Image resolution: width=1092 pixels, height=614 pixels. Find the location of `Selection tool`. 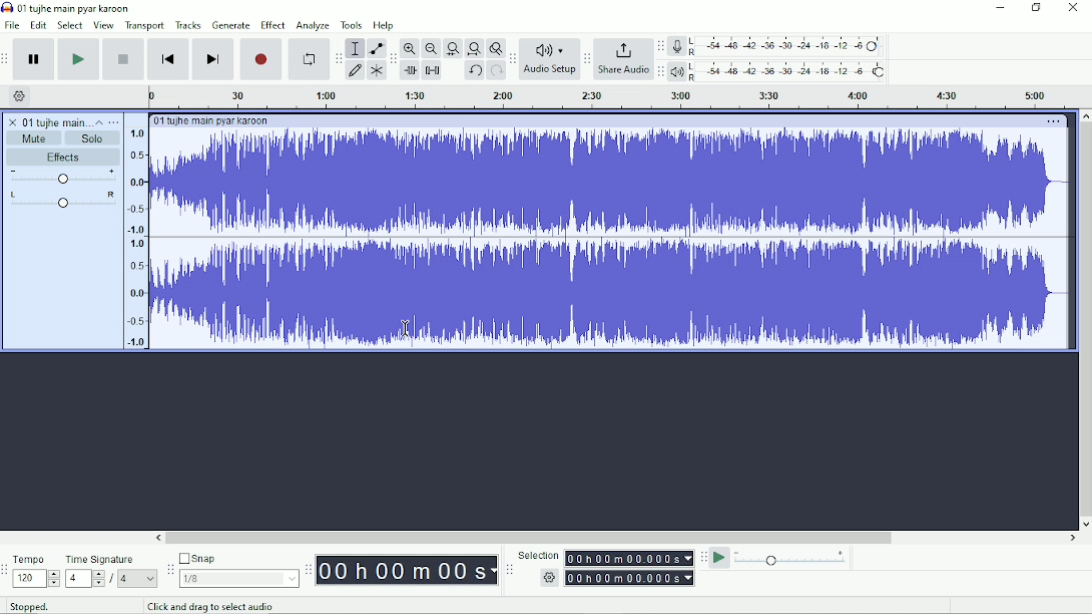

Selection tool is located at coordinates (355, 49).